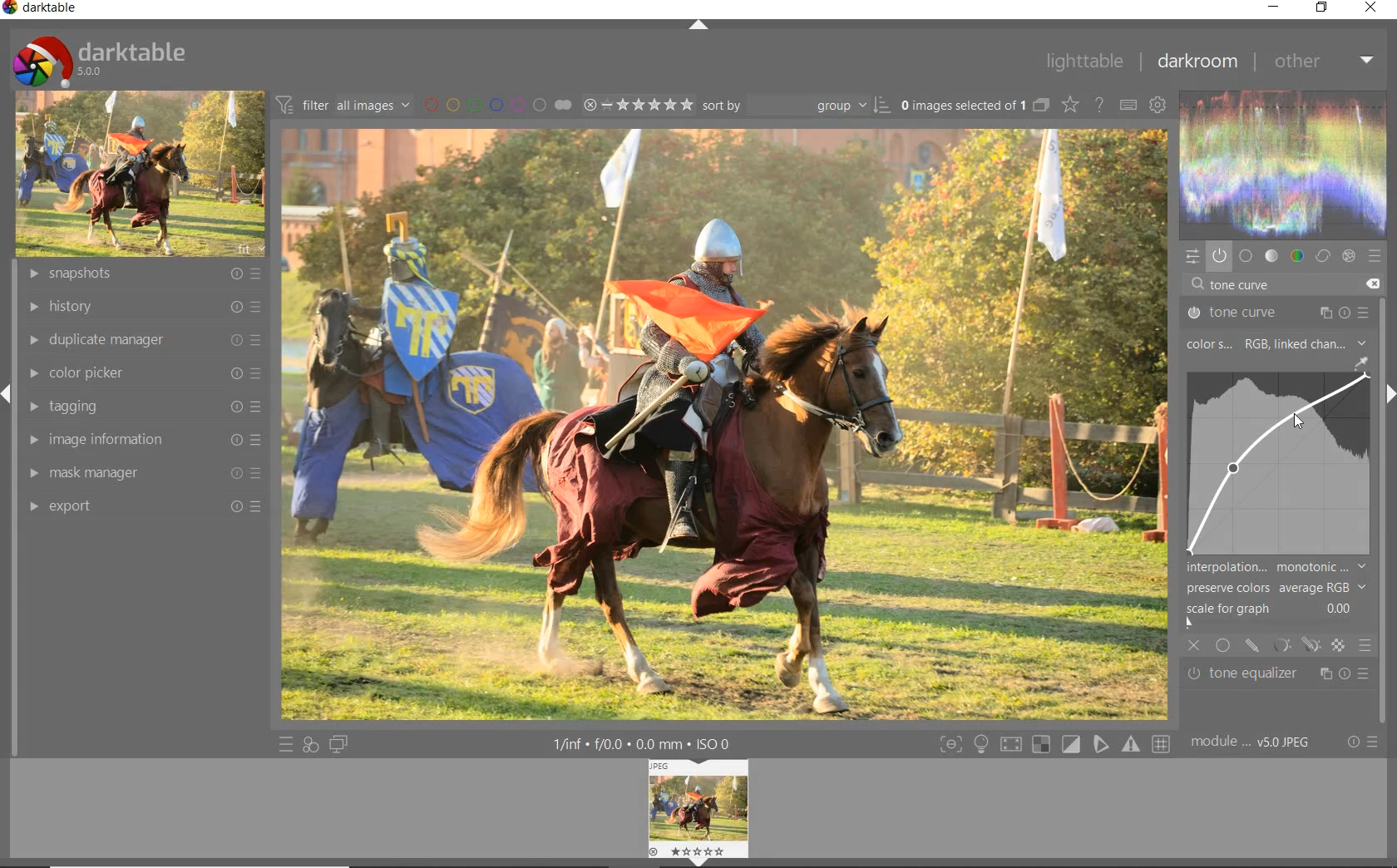  I want to click on uniformly, so click(1224, 645).